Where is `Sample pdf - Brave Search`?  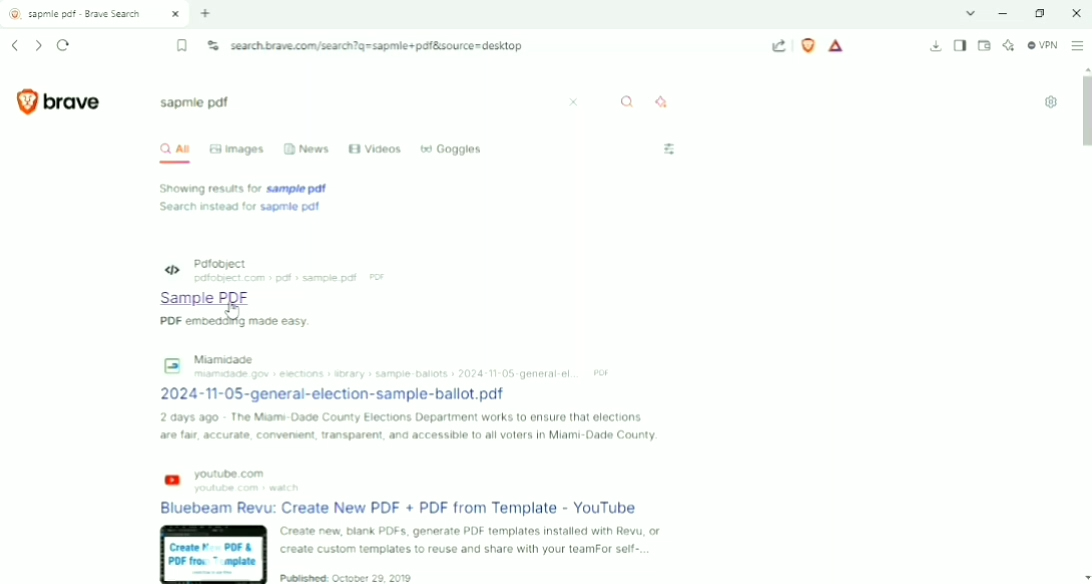 Sample pdf - Brave Search is located at coordinates (96, 14).